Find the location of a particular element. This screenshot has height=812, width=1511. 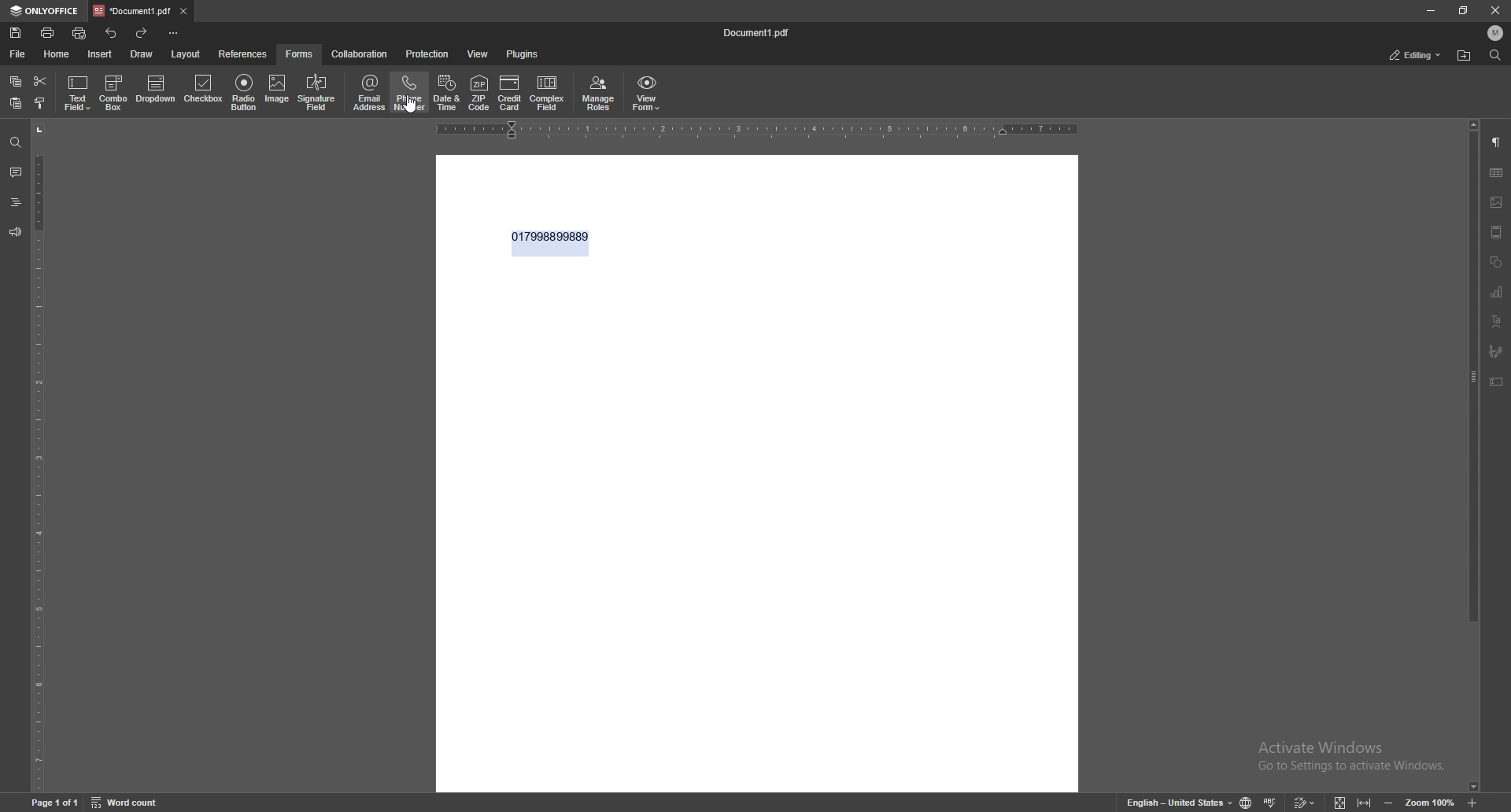

date and time is located at coordinates (445, 91).